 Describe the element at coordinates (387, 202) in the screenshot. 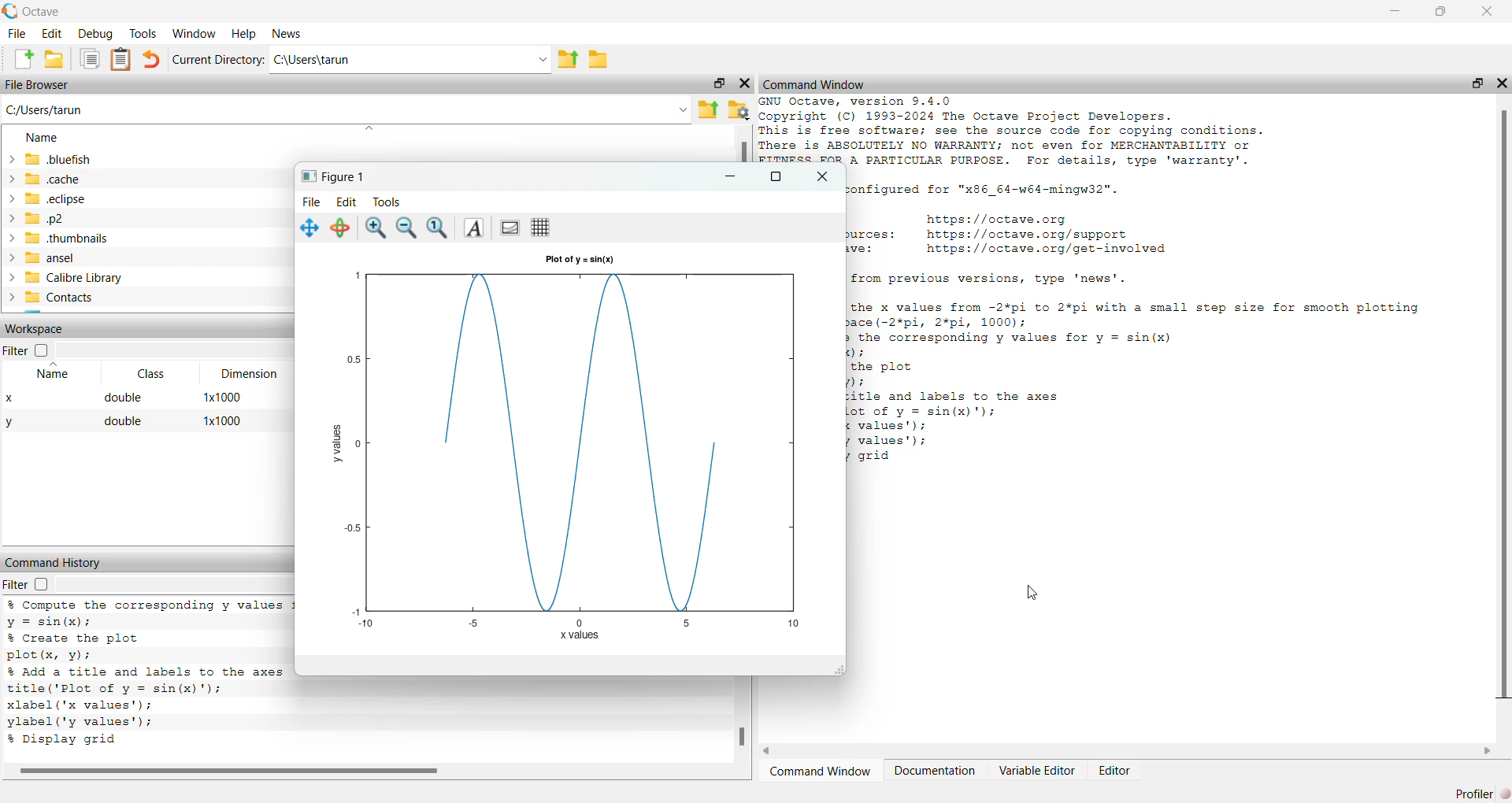

I see `Tools` at that location.